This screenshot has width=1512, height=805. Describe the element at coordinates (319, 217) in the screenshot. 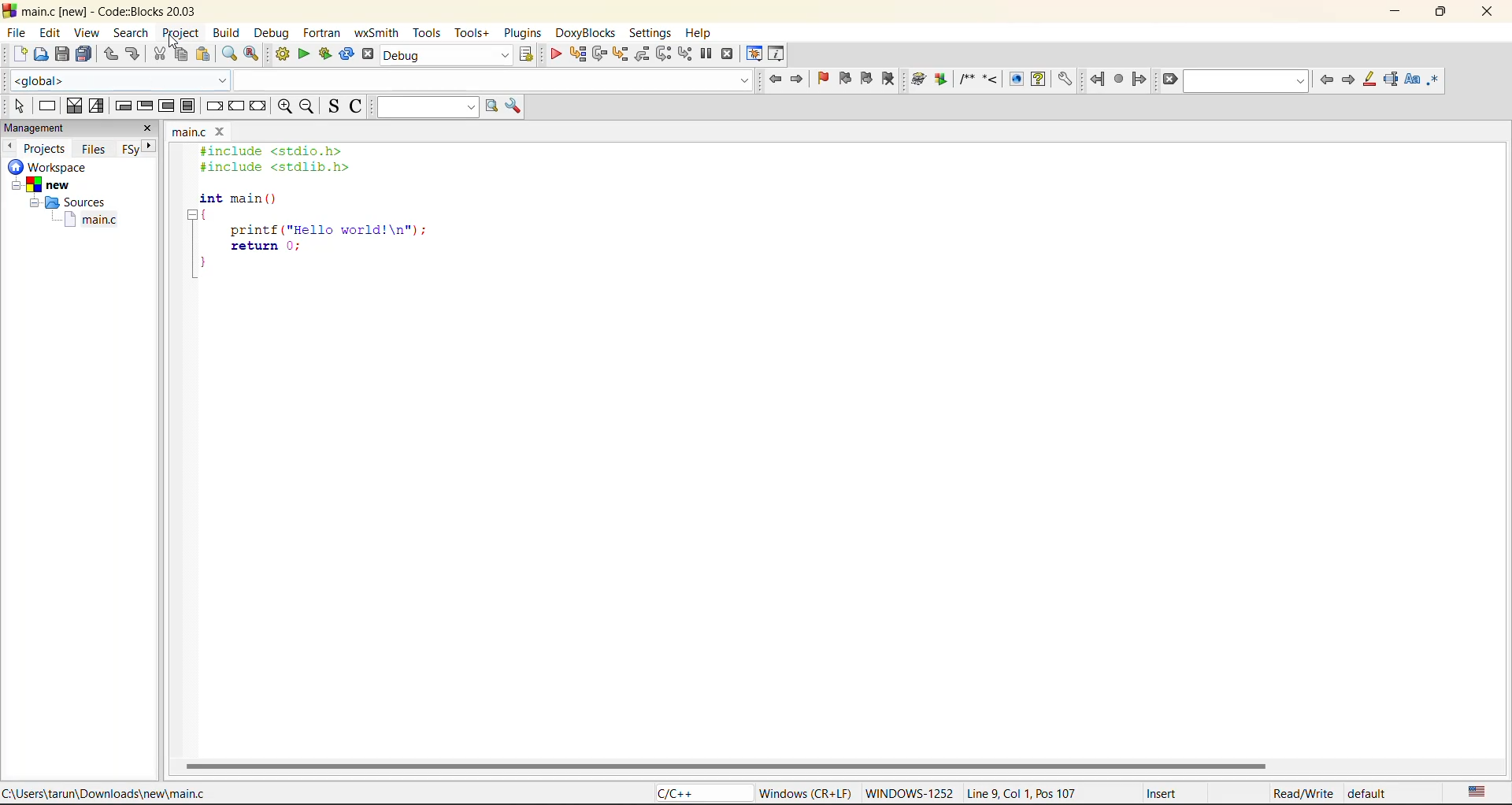

I see `#include <stdio.h>

#include <stdlib.h>

int main ()

{
printf ("Hello world!\n");
return 0;

}` at that location.